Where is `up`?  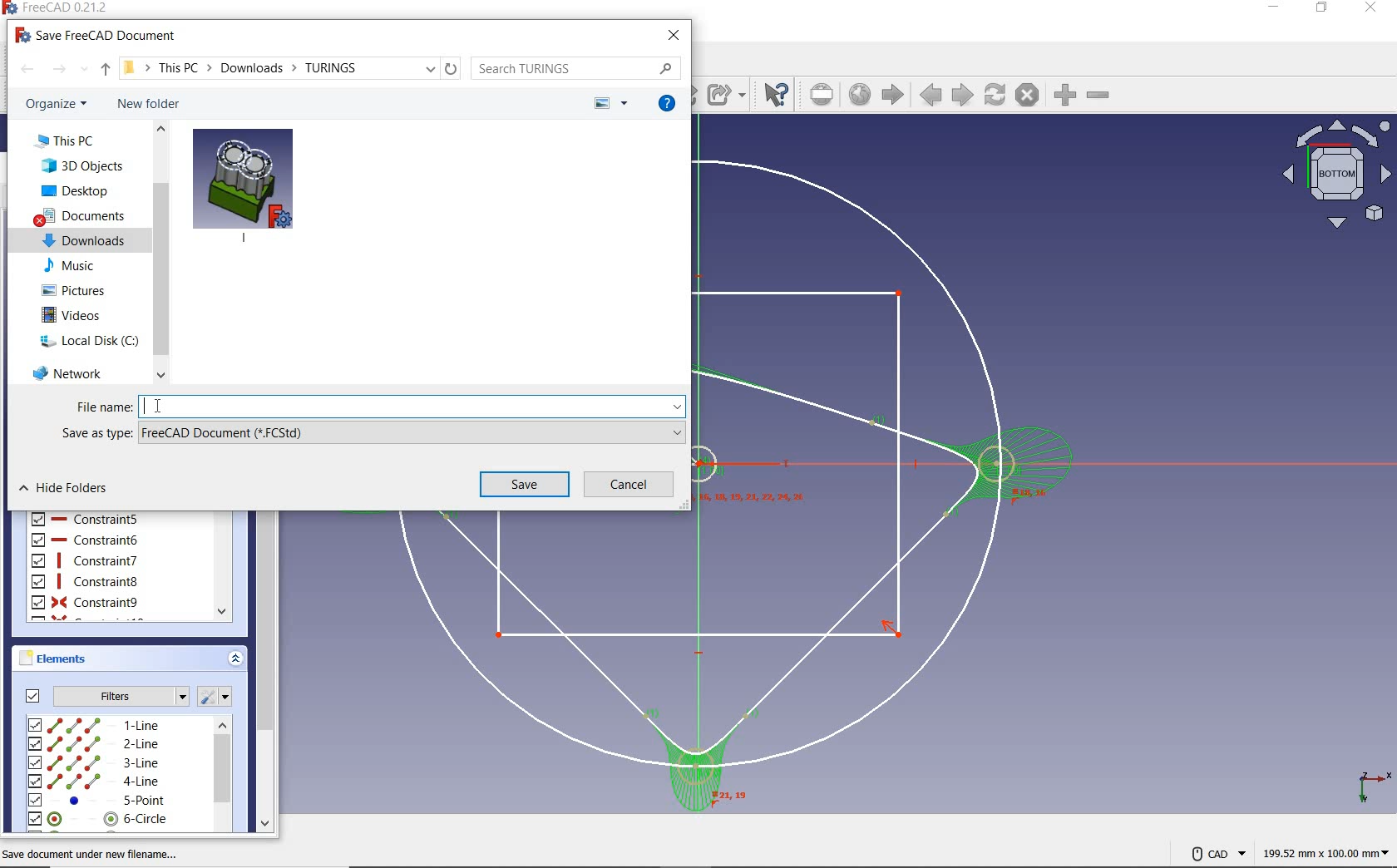
up is located at coordinates (105, 70).